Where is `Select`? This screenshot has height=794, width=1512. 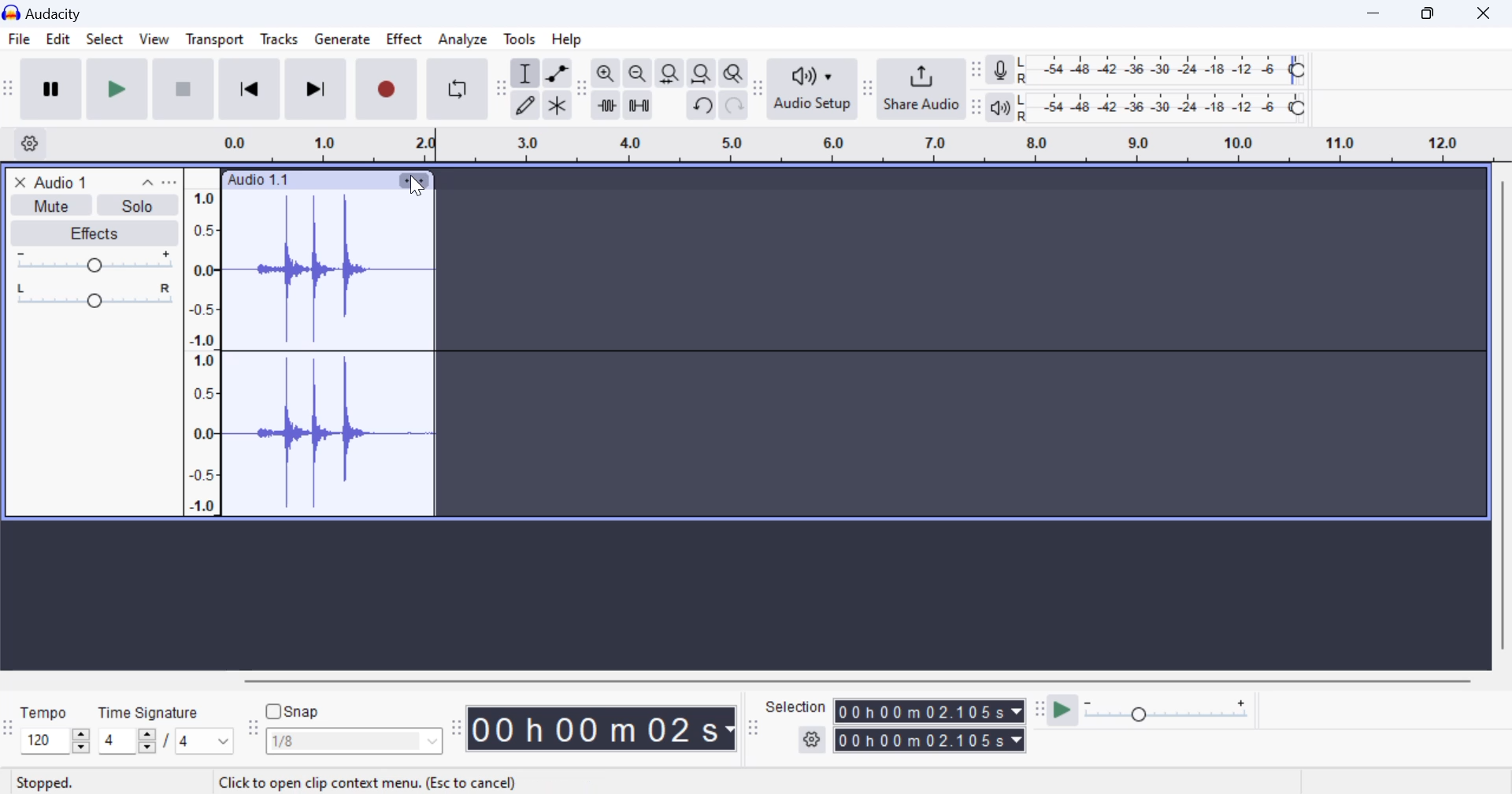
Select is located at coordinates (104, 43).